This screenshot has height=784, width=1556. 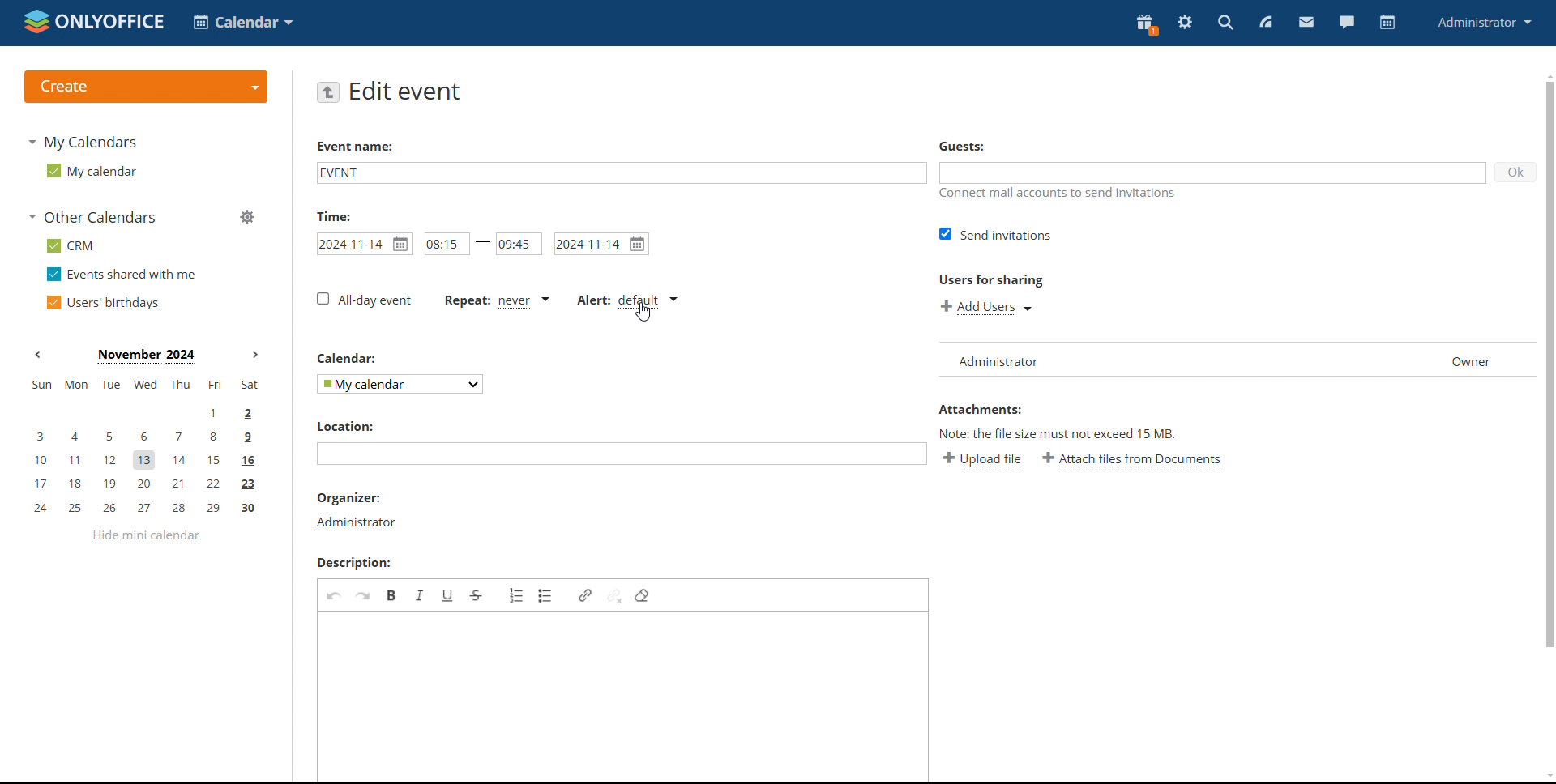 I want to click on present, so click(x=1145, y=26).